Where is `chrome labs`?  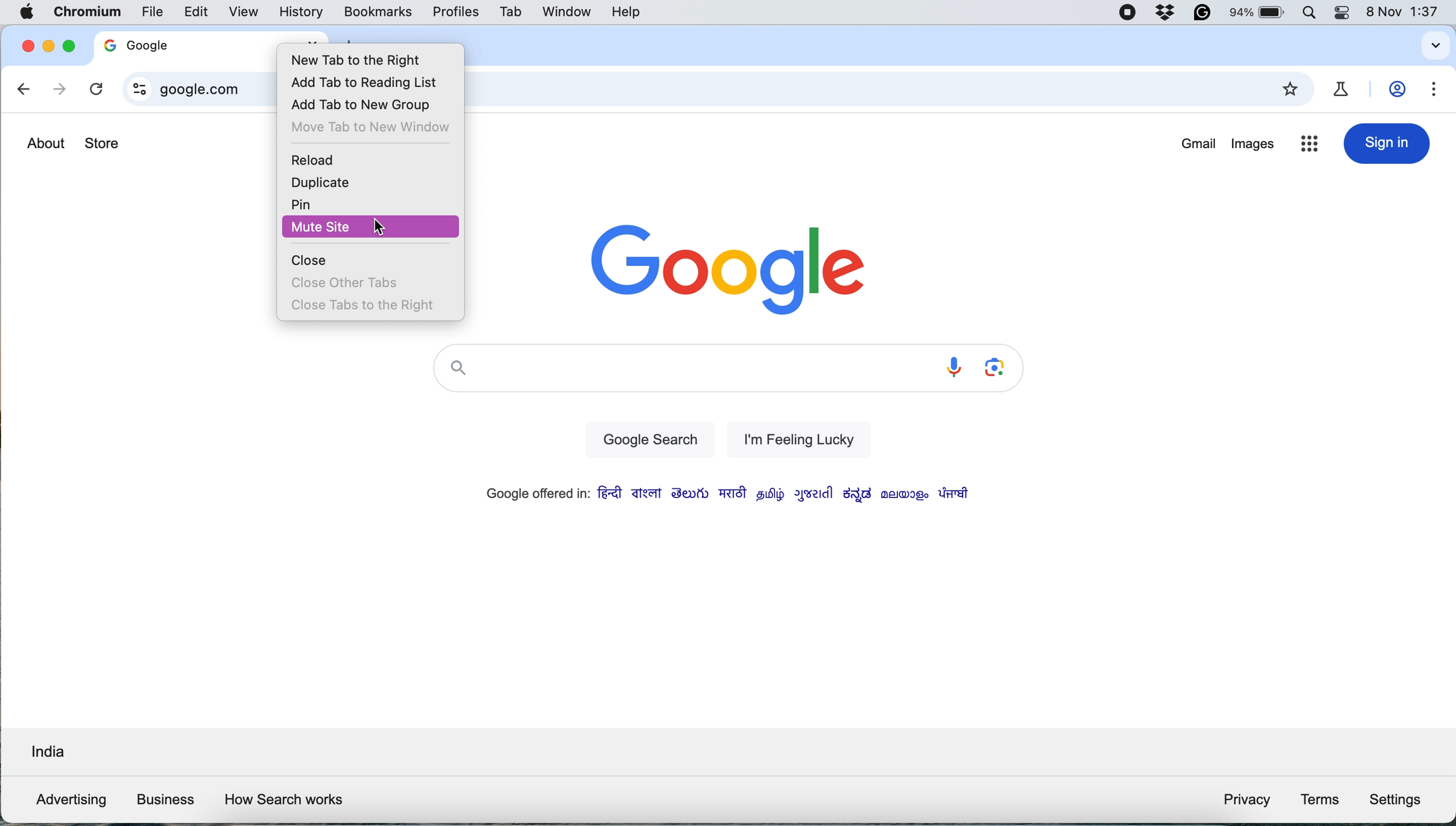 chrome labs is located at coordinates (1345, 88).